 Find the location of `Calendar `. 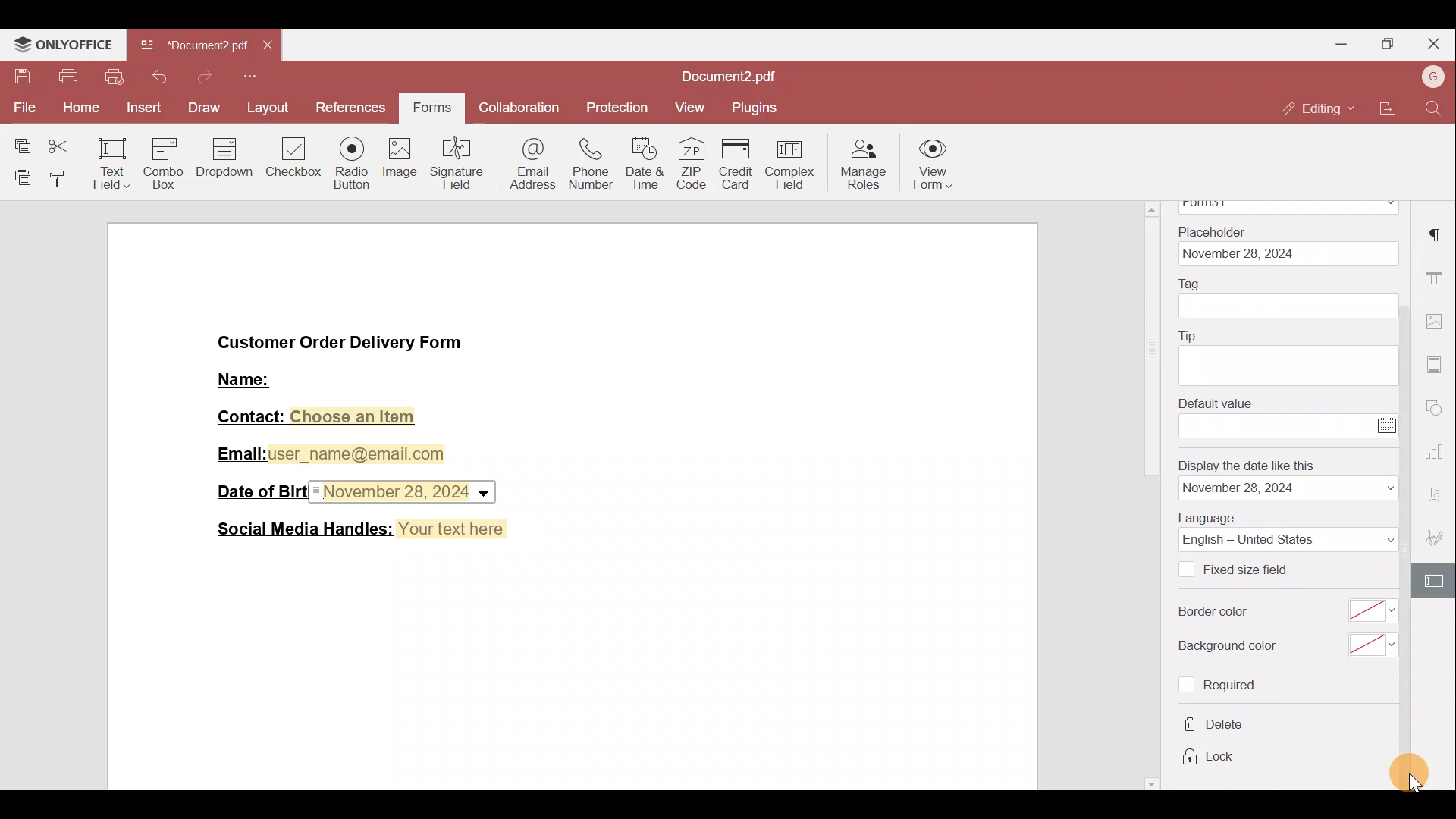

Calendar  is located at coordinates (1387, 425).